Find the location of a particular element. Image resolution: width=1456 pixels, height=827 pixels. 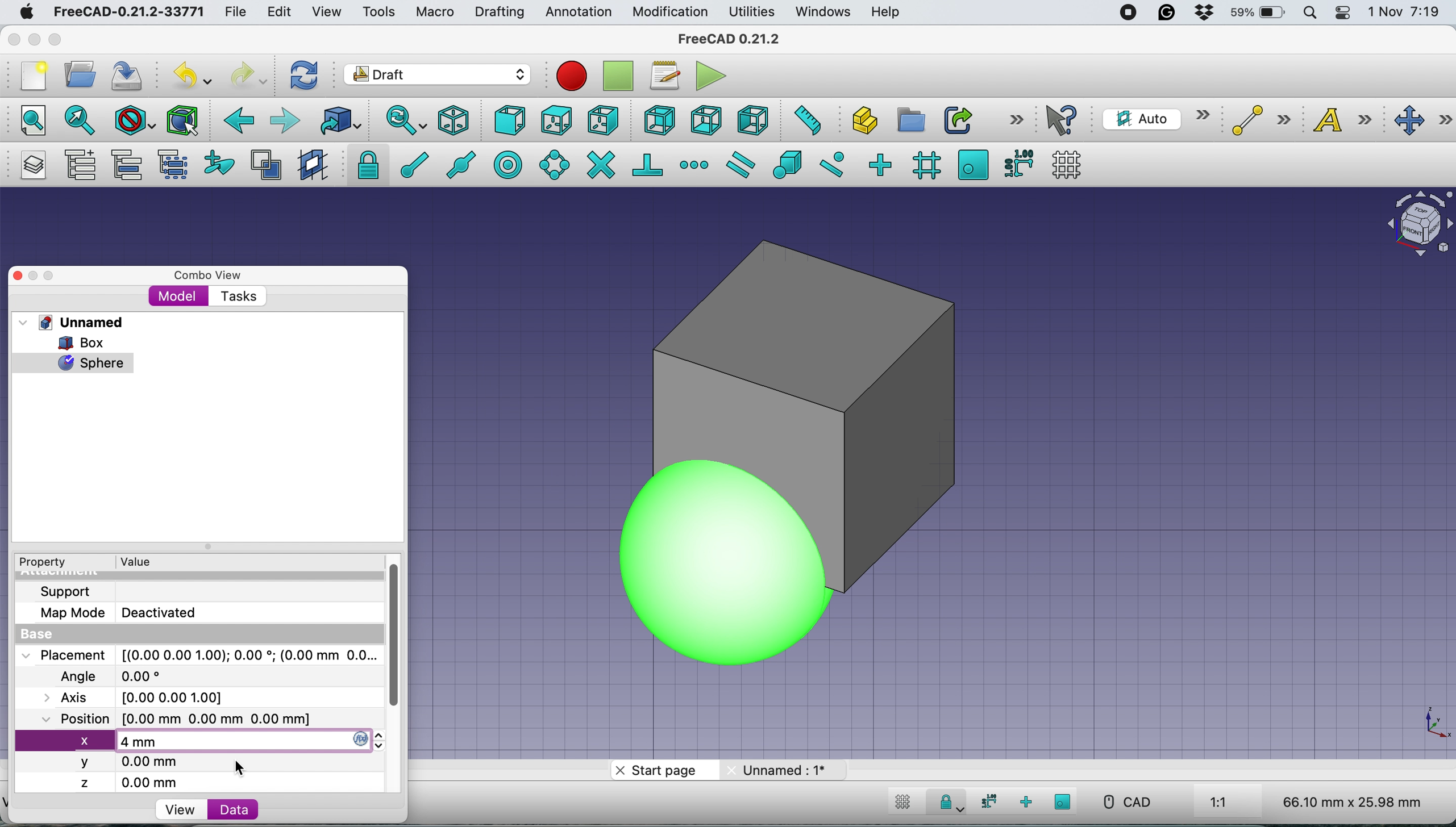

dropbox is located at coordinates (1199, 14).